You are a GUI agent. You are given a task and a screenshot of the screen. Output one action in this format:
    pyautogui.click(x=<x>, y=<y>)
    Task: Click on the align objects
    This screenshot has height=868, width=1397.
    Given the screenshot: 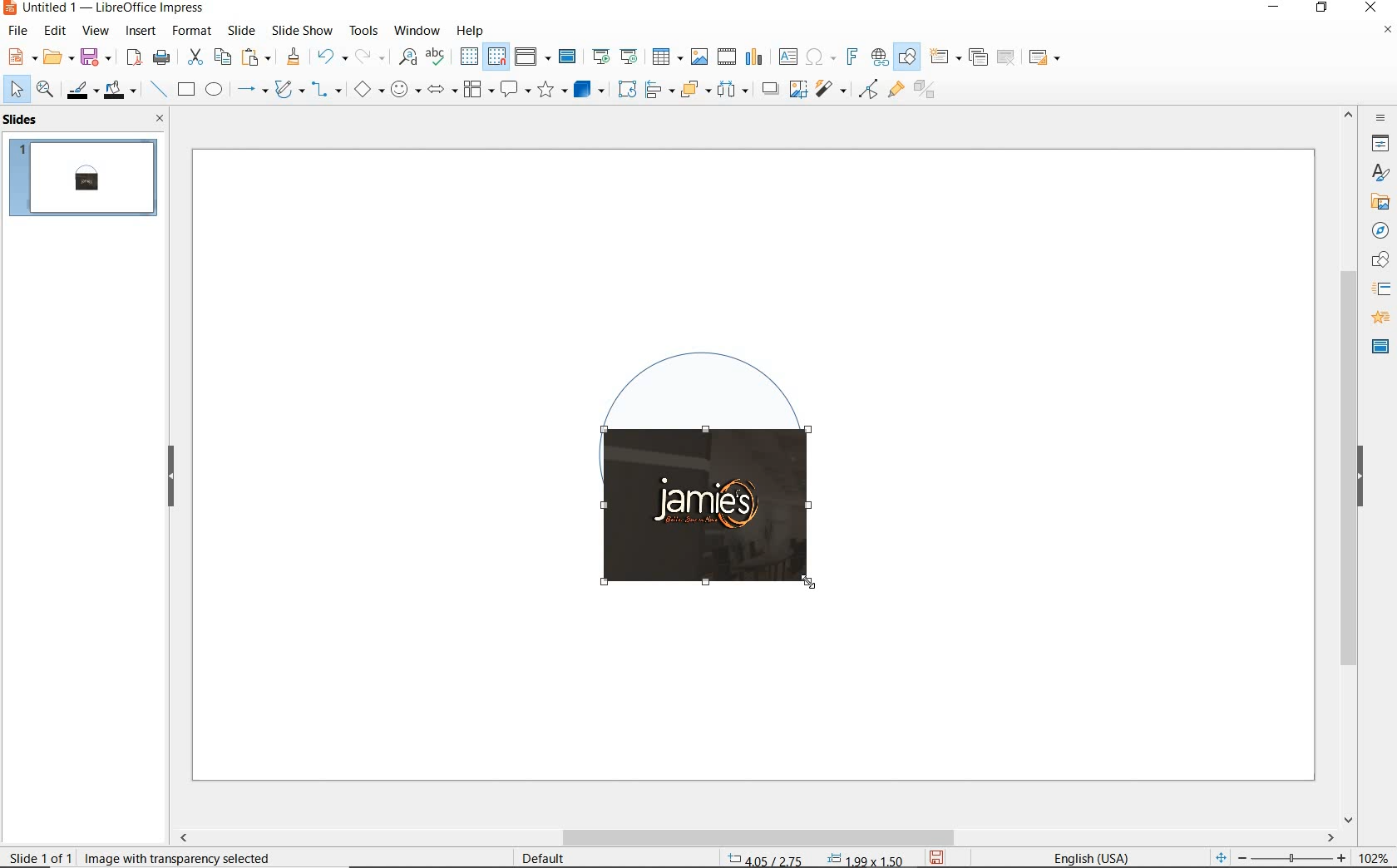 What is the action you would take?
    pyautogui.click(x=655, y=88)
    